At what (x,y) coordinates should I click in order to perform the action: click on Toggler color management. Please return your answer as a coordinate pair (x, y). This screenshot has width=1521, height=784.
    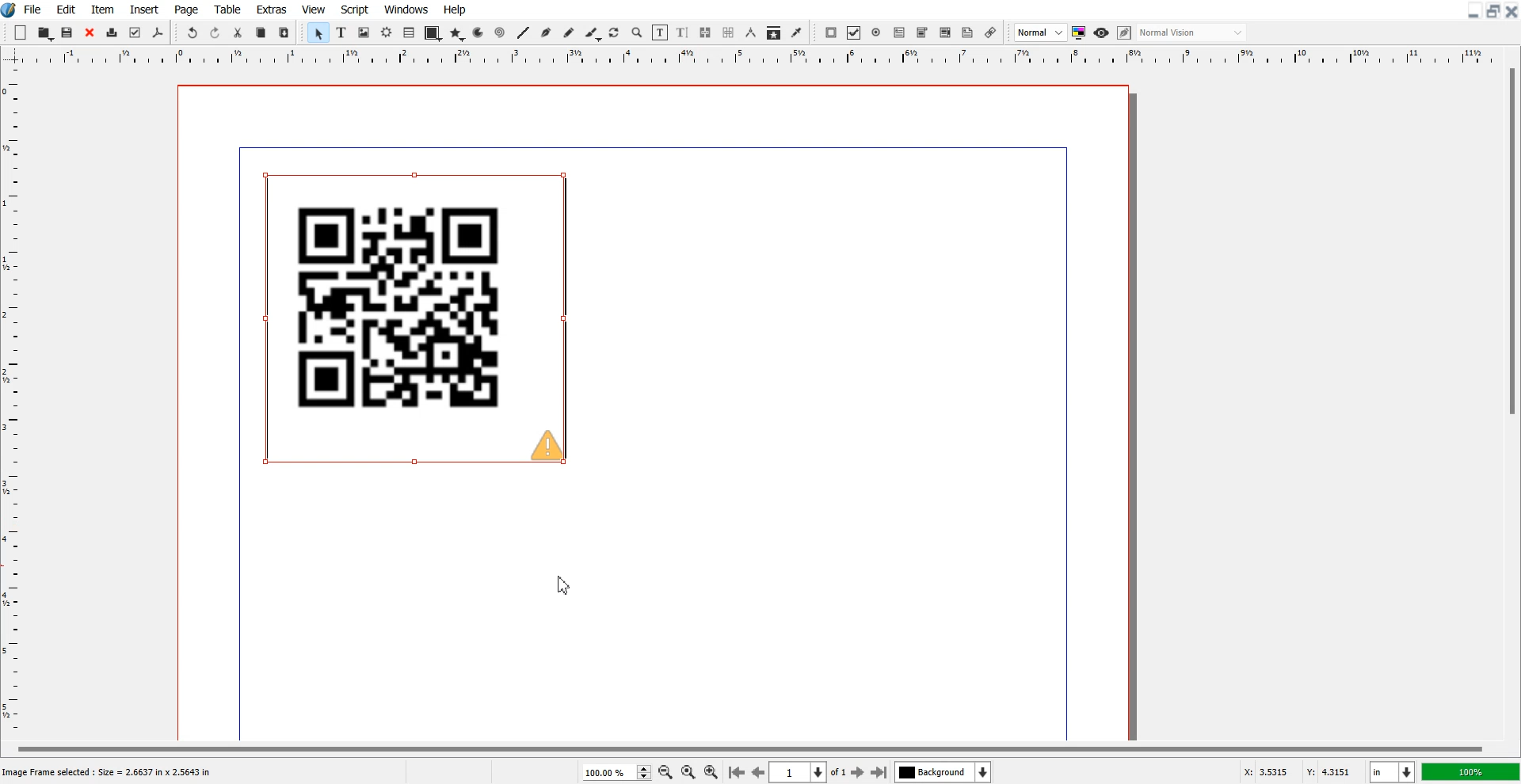
    Looking at the image, I should click on (1079, 32).